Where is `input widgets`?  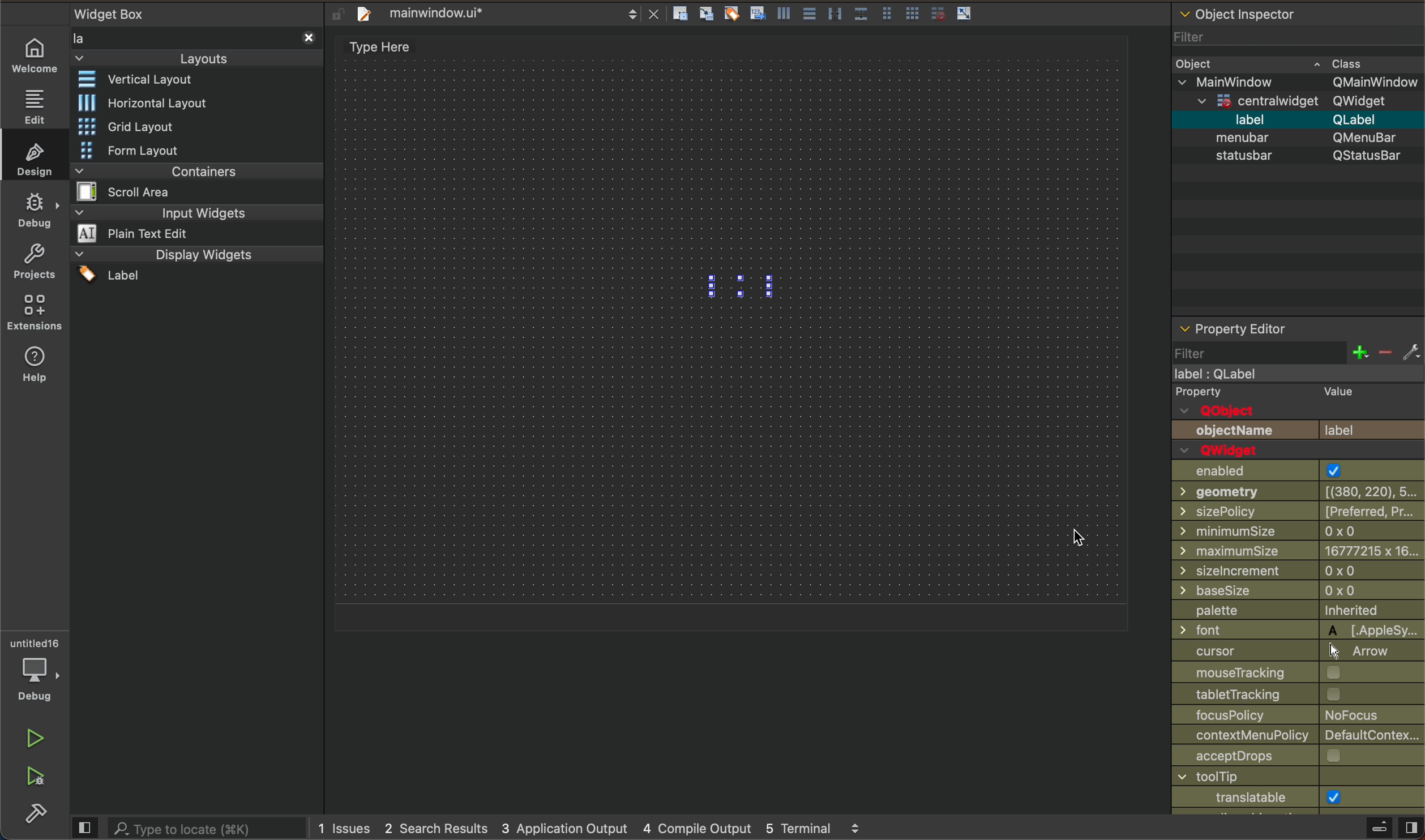
input widgets is located at coordinates (195, 222).